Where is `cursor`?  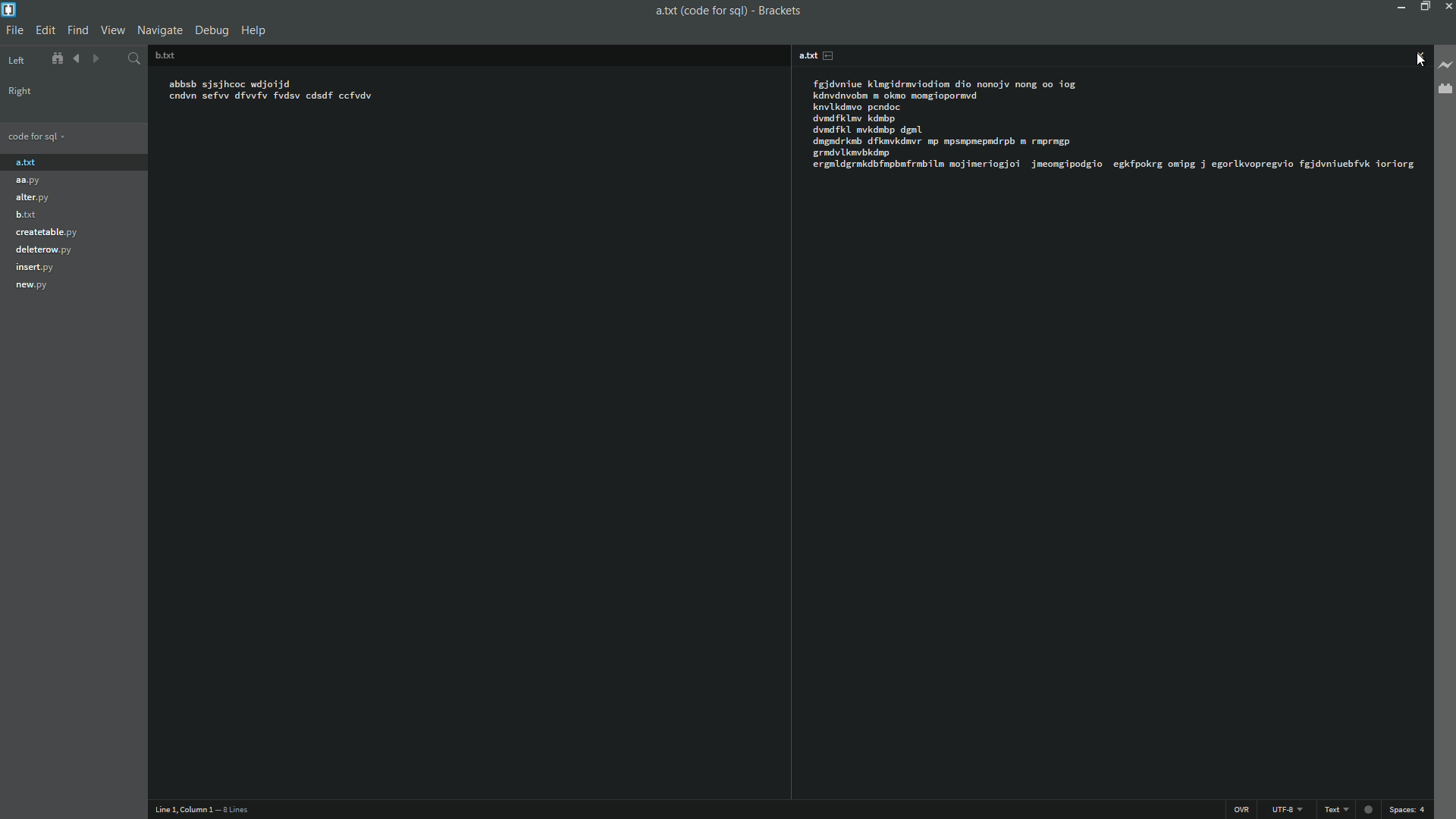 cursor is located at coordinates (1422, 64).